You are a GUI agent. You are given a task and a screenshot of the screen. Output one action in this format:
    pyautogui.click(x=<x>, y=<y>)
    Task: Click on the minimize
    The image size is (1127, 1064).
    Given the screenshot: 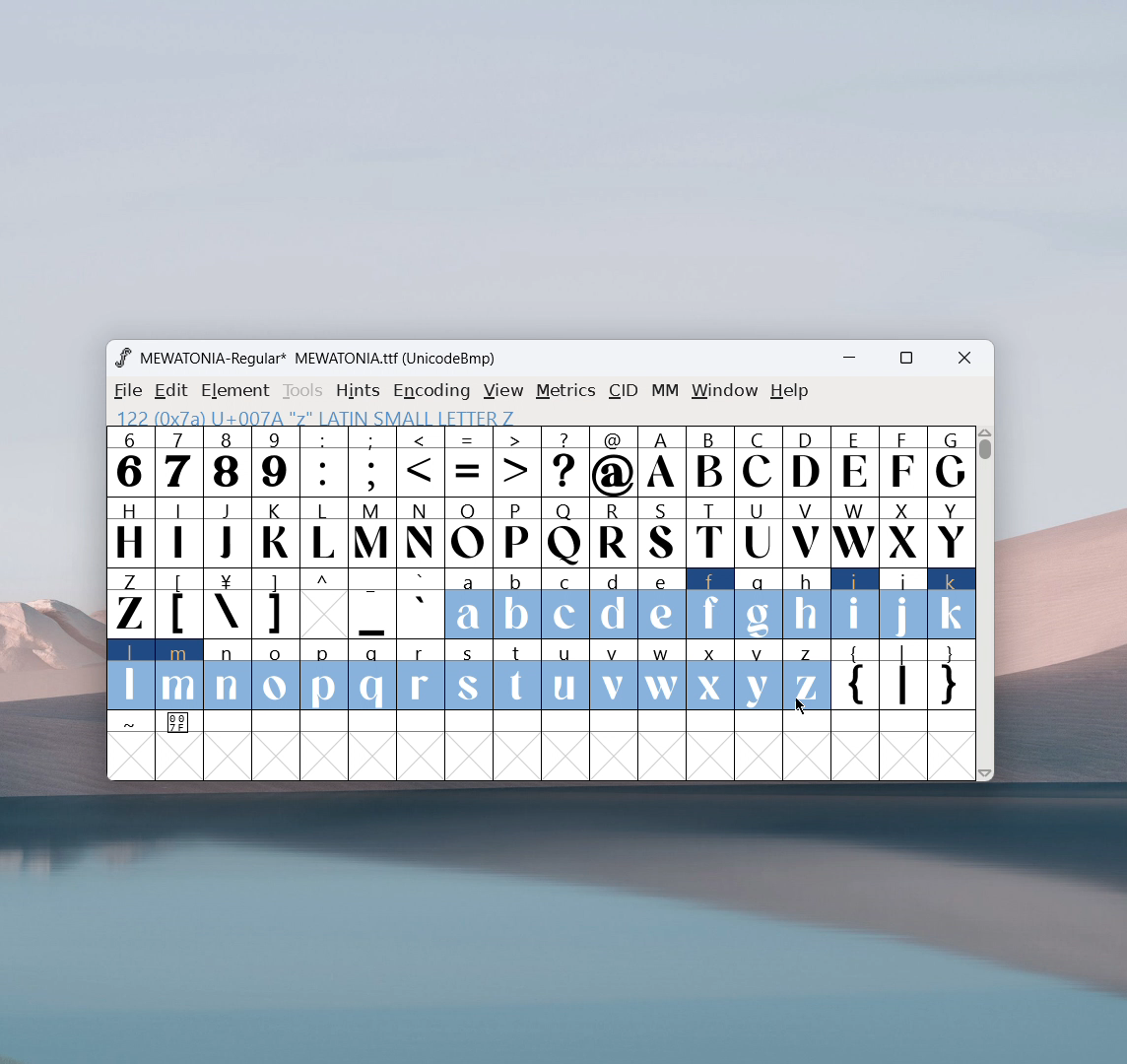 What is the action you would take?
    pyautogui.click(x=856, y=361)
    